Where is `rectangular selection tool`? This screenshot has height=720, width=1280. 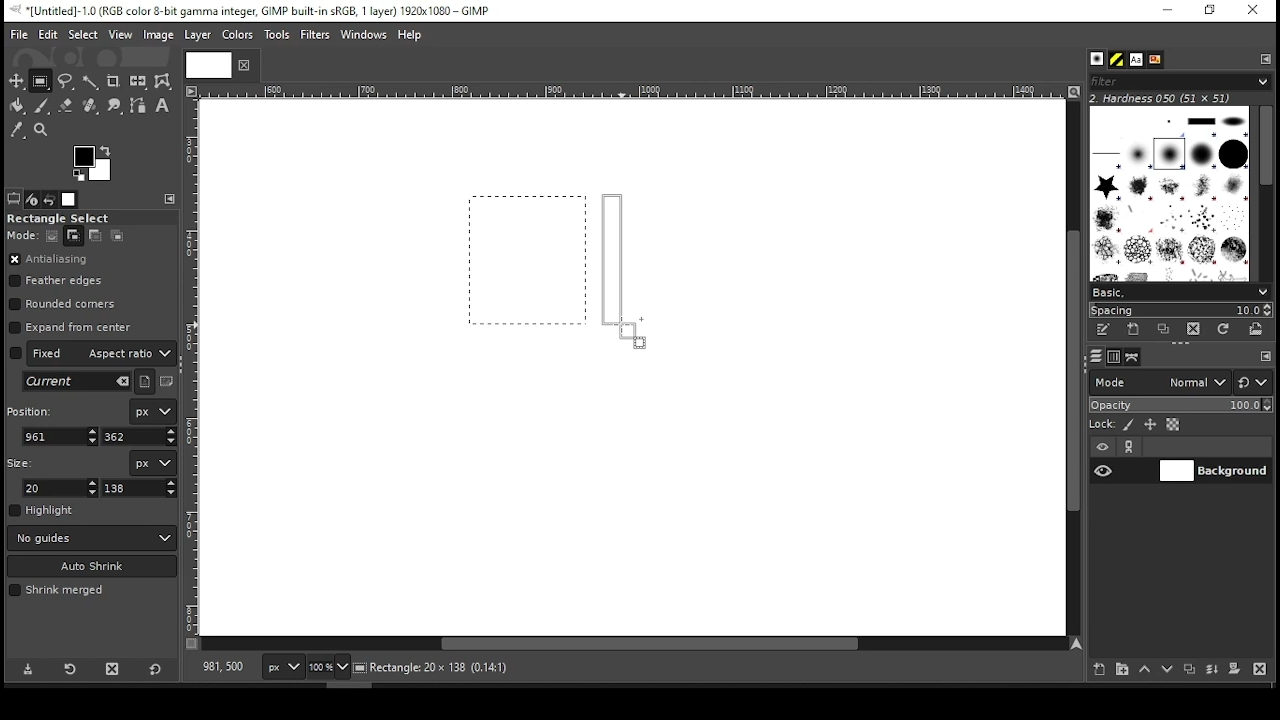
rectangular selection tool is located at coordinates (43, 81).